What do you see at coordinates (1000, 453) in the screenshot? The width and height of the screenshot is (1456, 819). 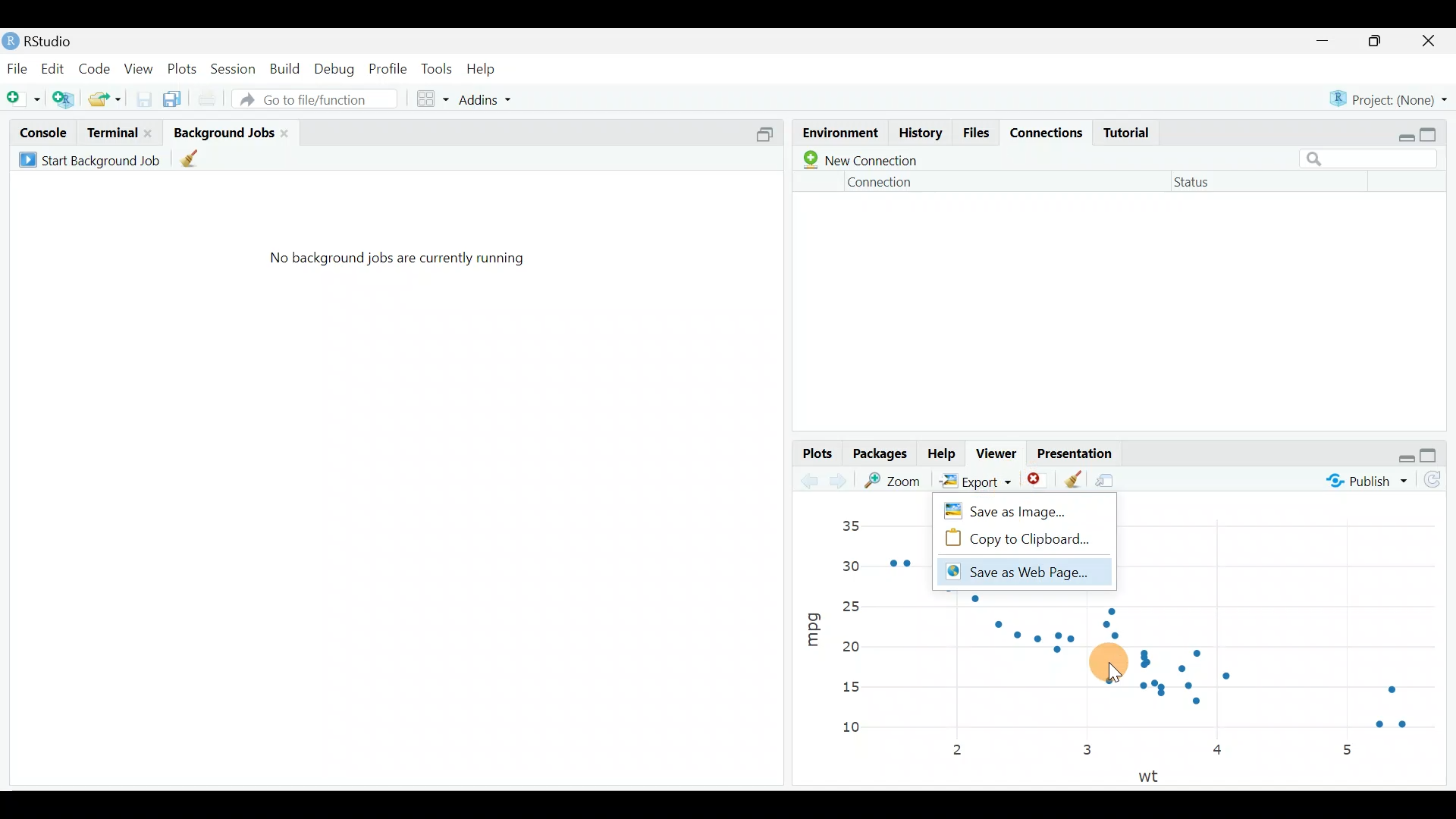 I see `Viewer` at bounding box center [1000, 453].